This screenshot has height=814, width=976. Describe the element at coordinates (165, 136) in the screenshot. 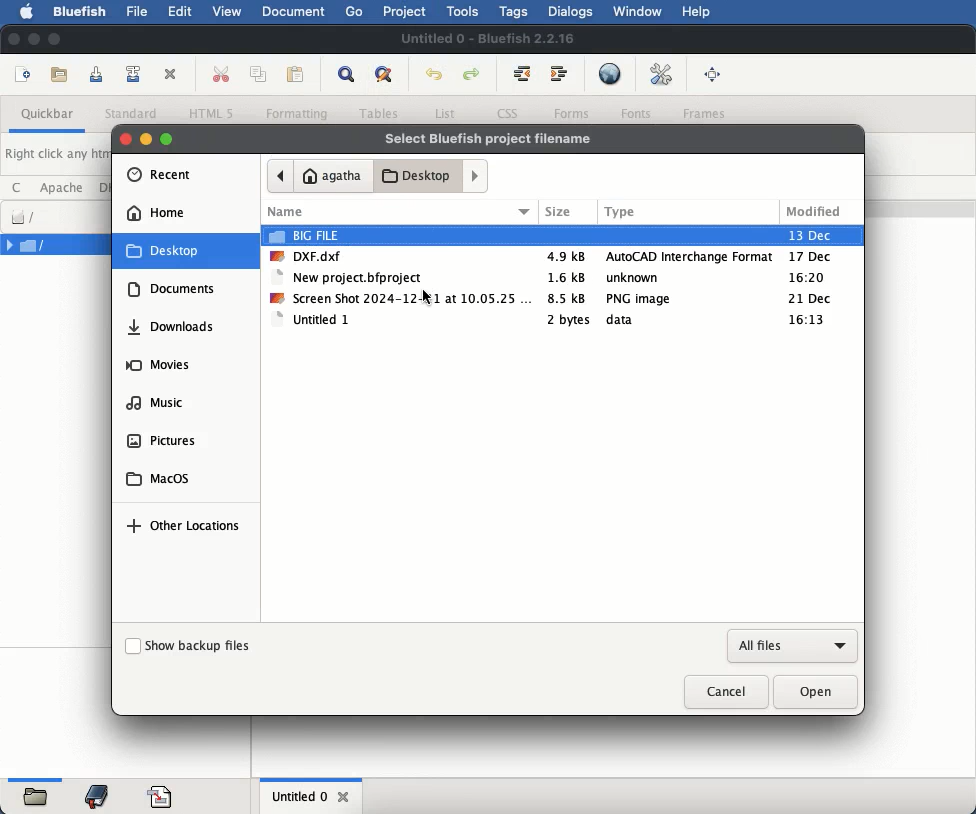

I see `maximise` at that location.